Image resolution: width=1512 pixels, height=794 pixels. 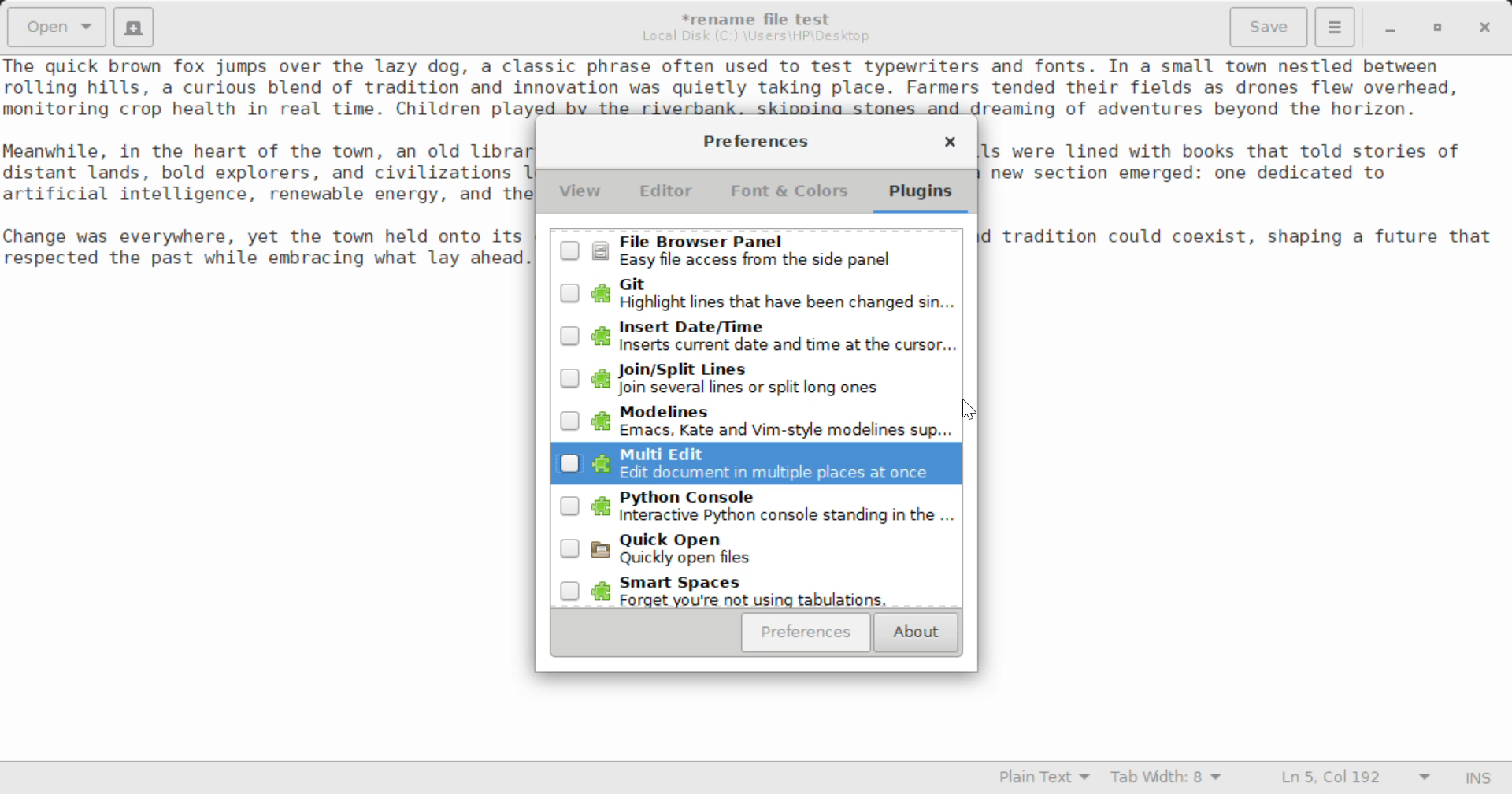 What do you see at coordinates (57, 25) in the screenshot?
I see `Open Document` at bounding box center [57, 25].